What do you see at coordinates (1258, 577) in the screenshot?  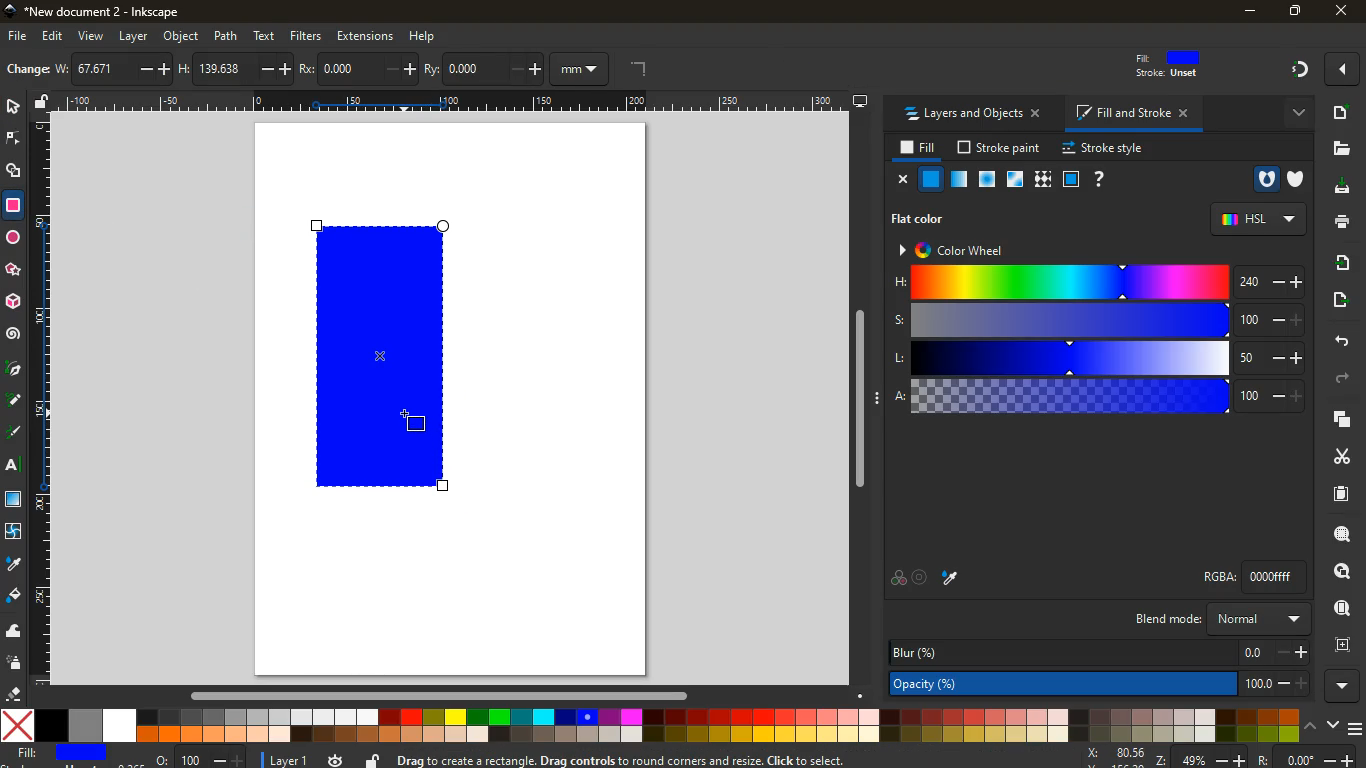 I see `rgba` at bounding box center [1258, 577].